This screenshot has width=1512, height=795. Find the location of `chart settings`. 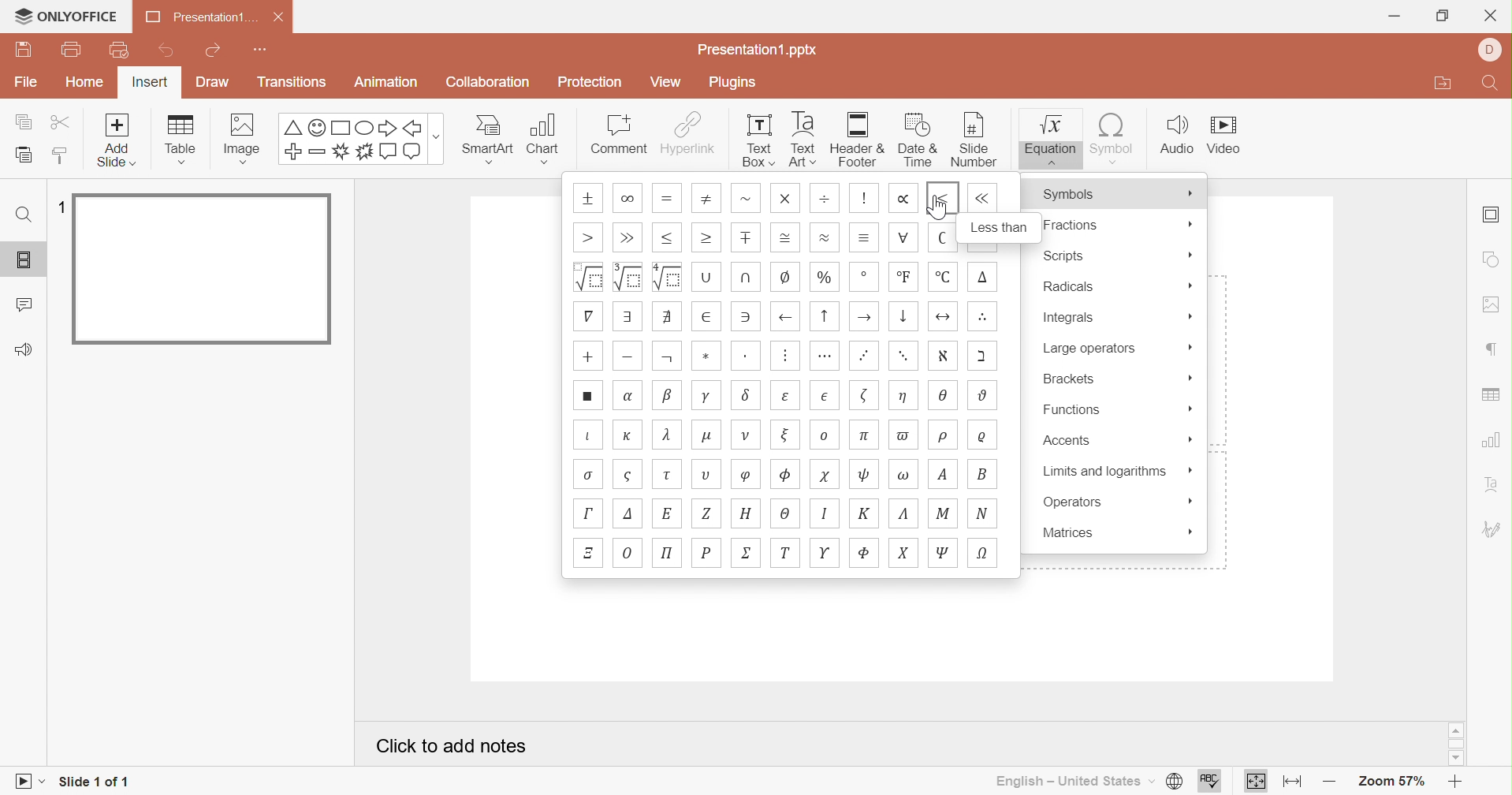

chart settings is located at coordinates (1489, 443).